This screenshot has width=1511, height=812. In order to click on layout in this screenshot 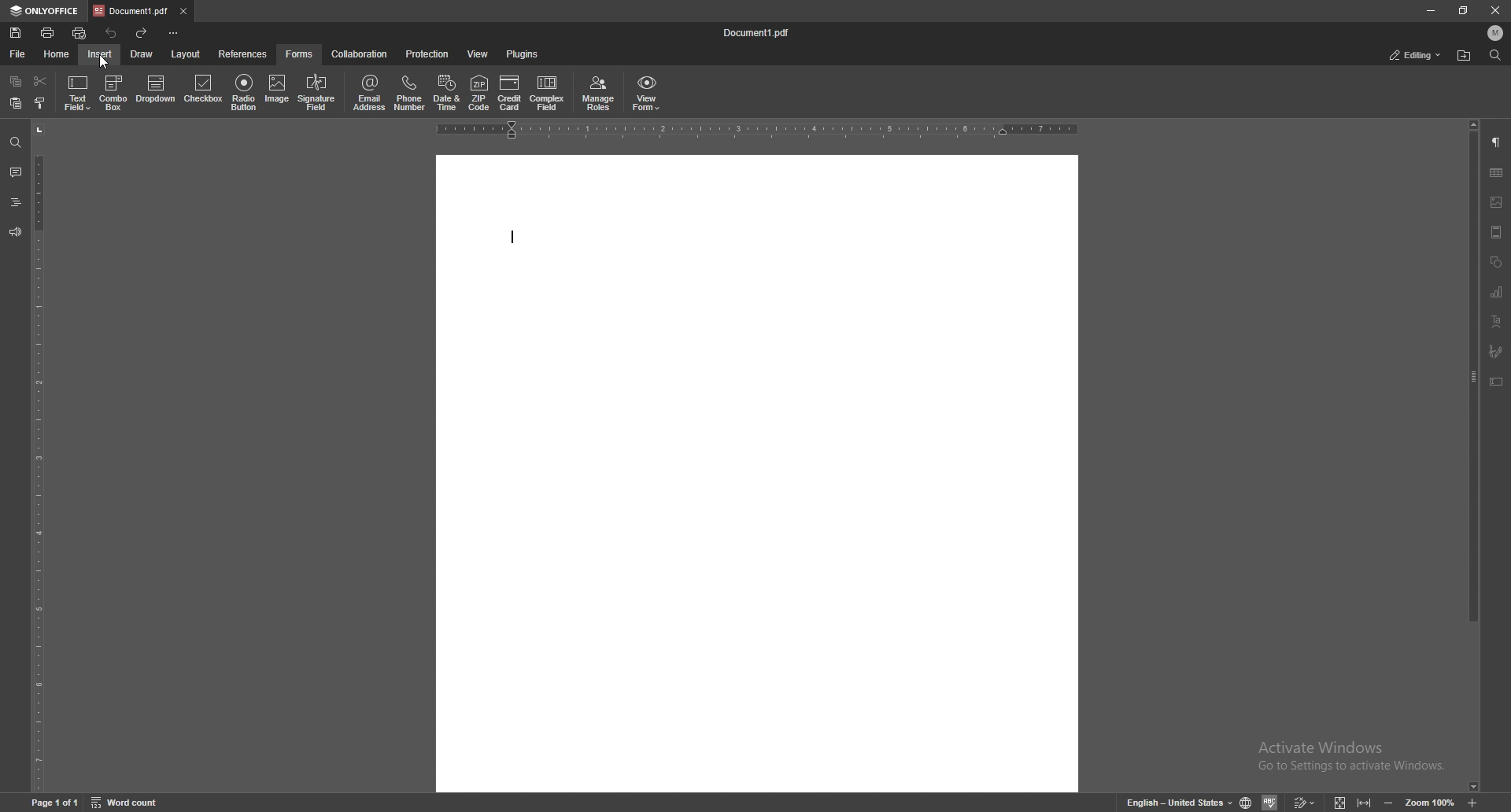, I will do `click(187, 55)`.